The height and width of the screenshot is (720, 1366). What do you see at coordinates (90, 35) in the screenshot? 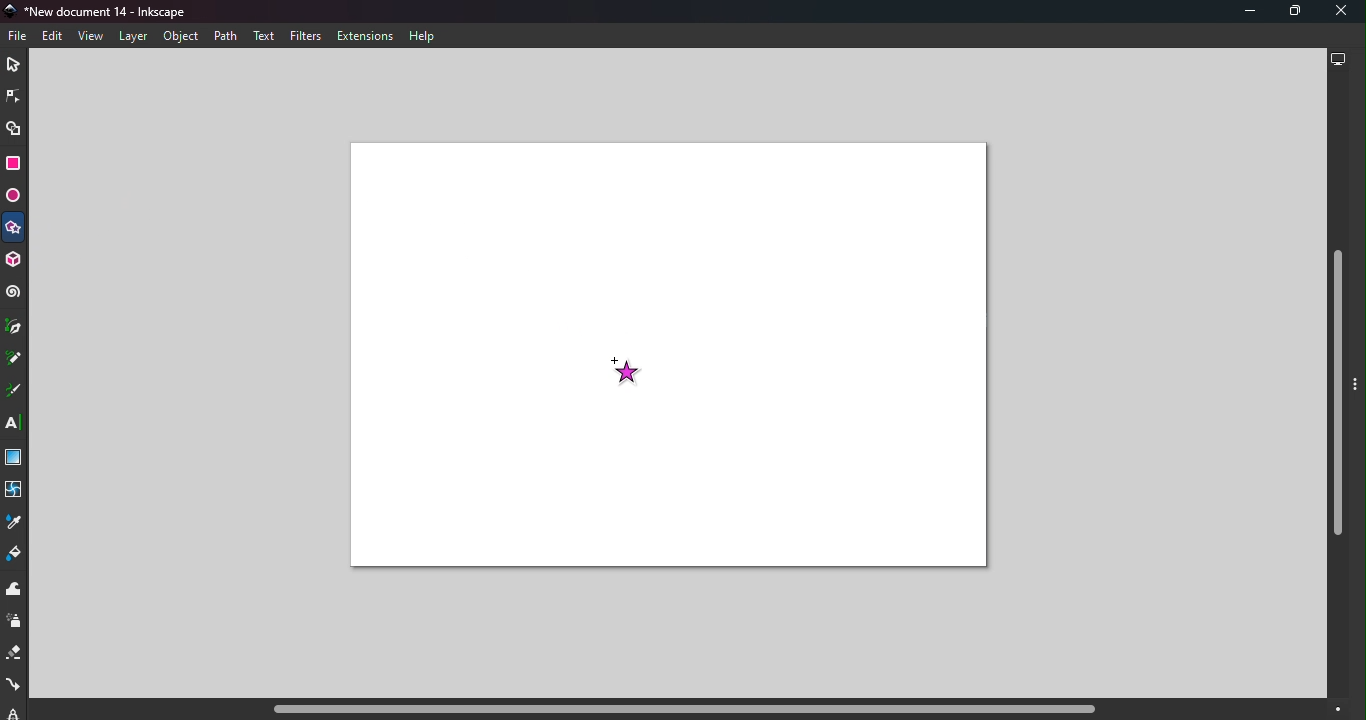
I see `View` at bounding box center [90, 35].